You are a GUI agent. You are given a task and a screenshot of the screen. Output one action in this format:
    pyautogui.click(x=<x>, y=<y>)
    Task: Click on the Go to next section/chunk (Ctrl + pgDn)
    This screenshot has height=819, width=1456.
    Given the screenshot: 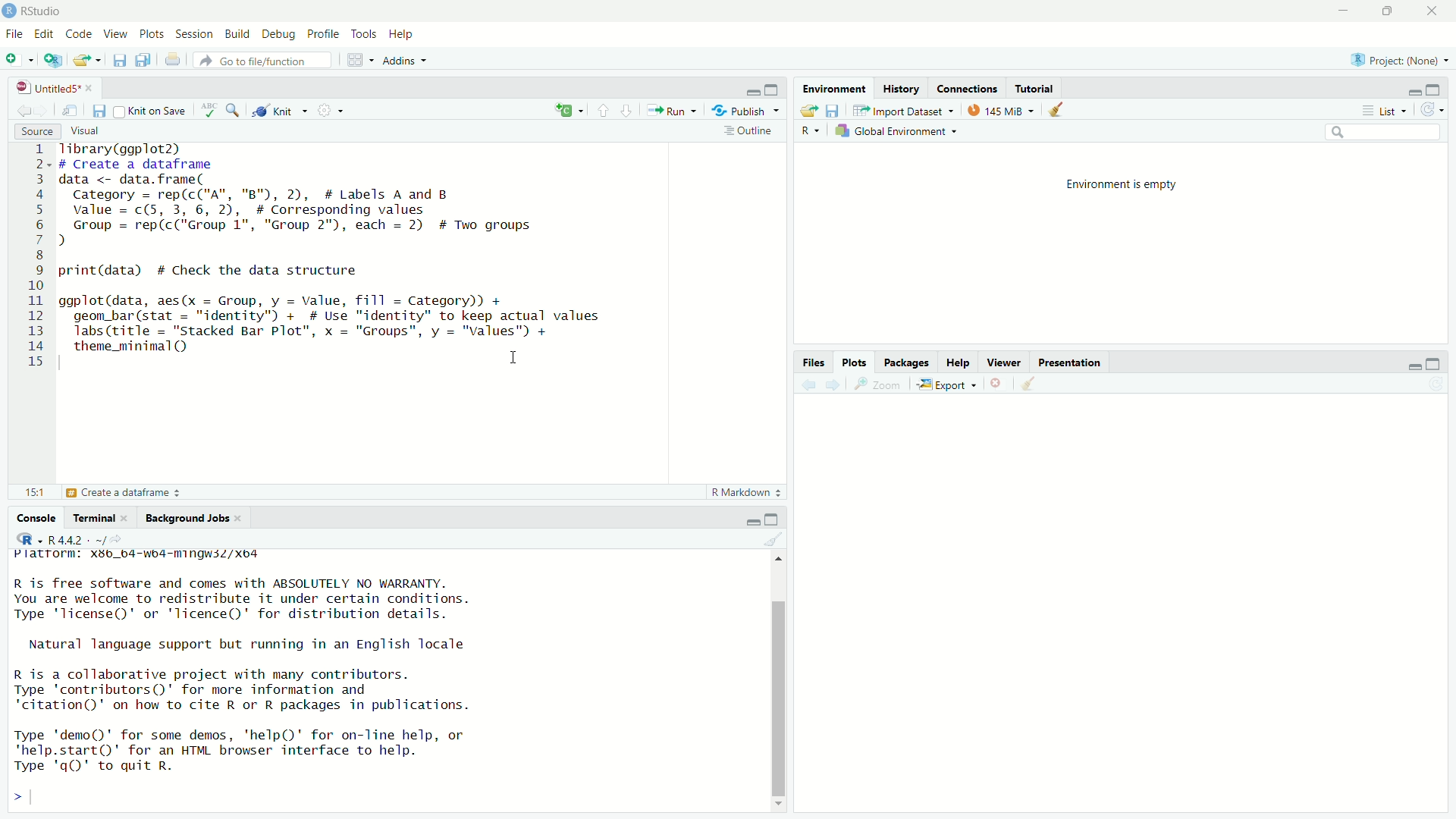 What is the action you would take?
    pyautogui.click(x=625, y=109)
    